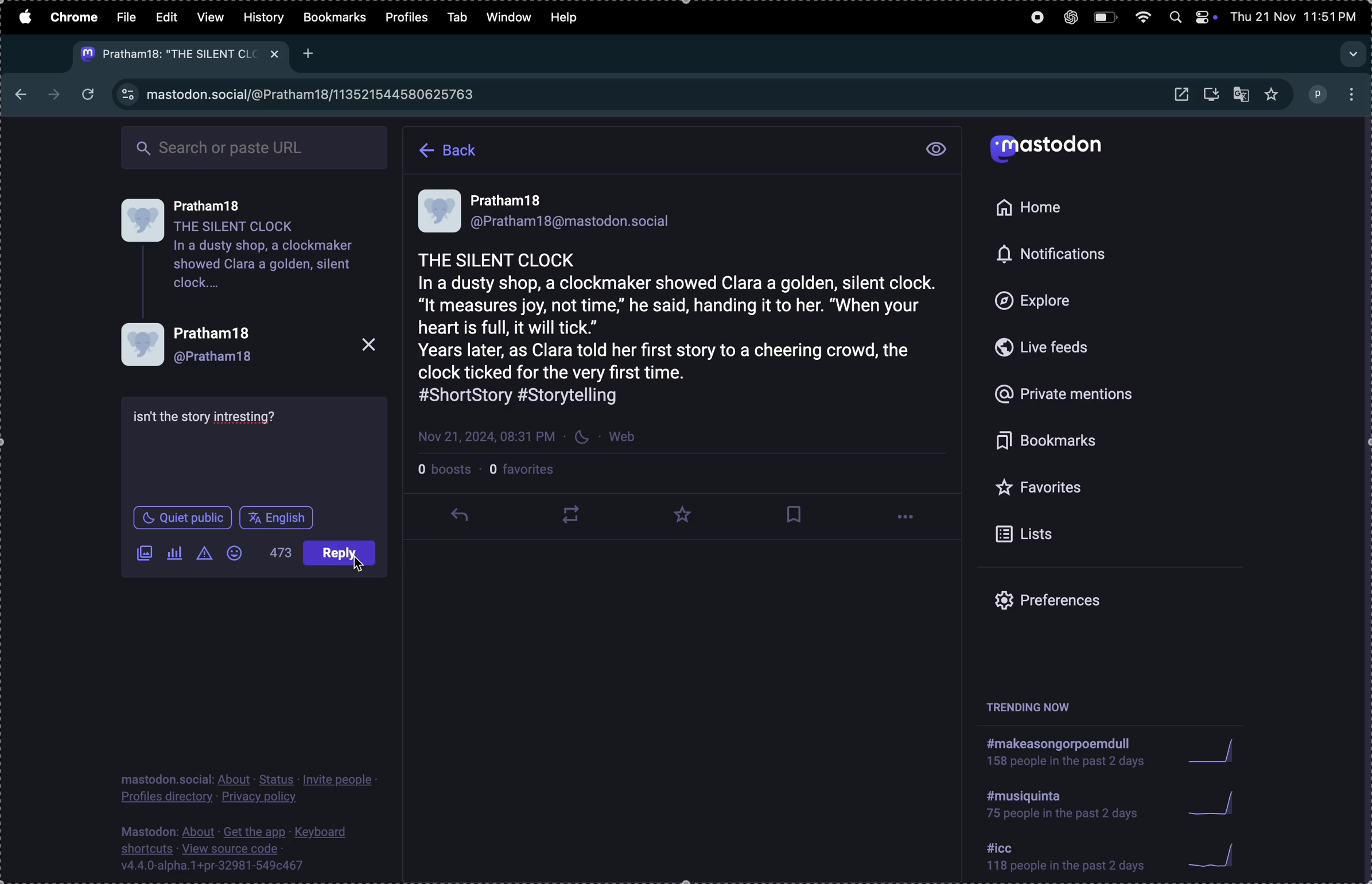 This screenshot has width=1372, height=884. I want to click on edit, so click(165, 17).